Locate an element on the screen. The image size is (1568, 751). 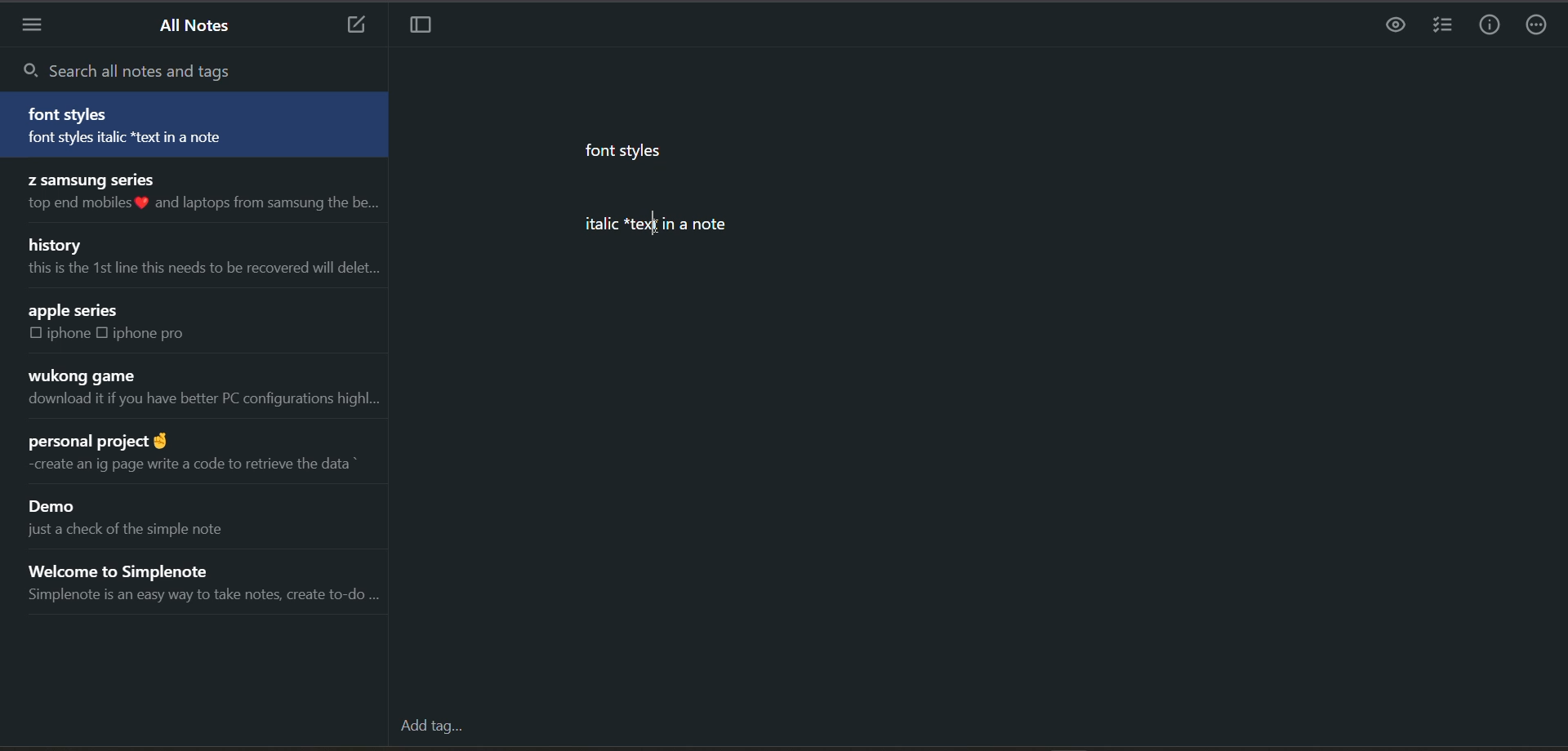
actions is located at coordinates (1541, 23).